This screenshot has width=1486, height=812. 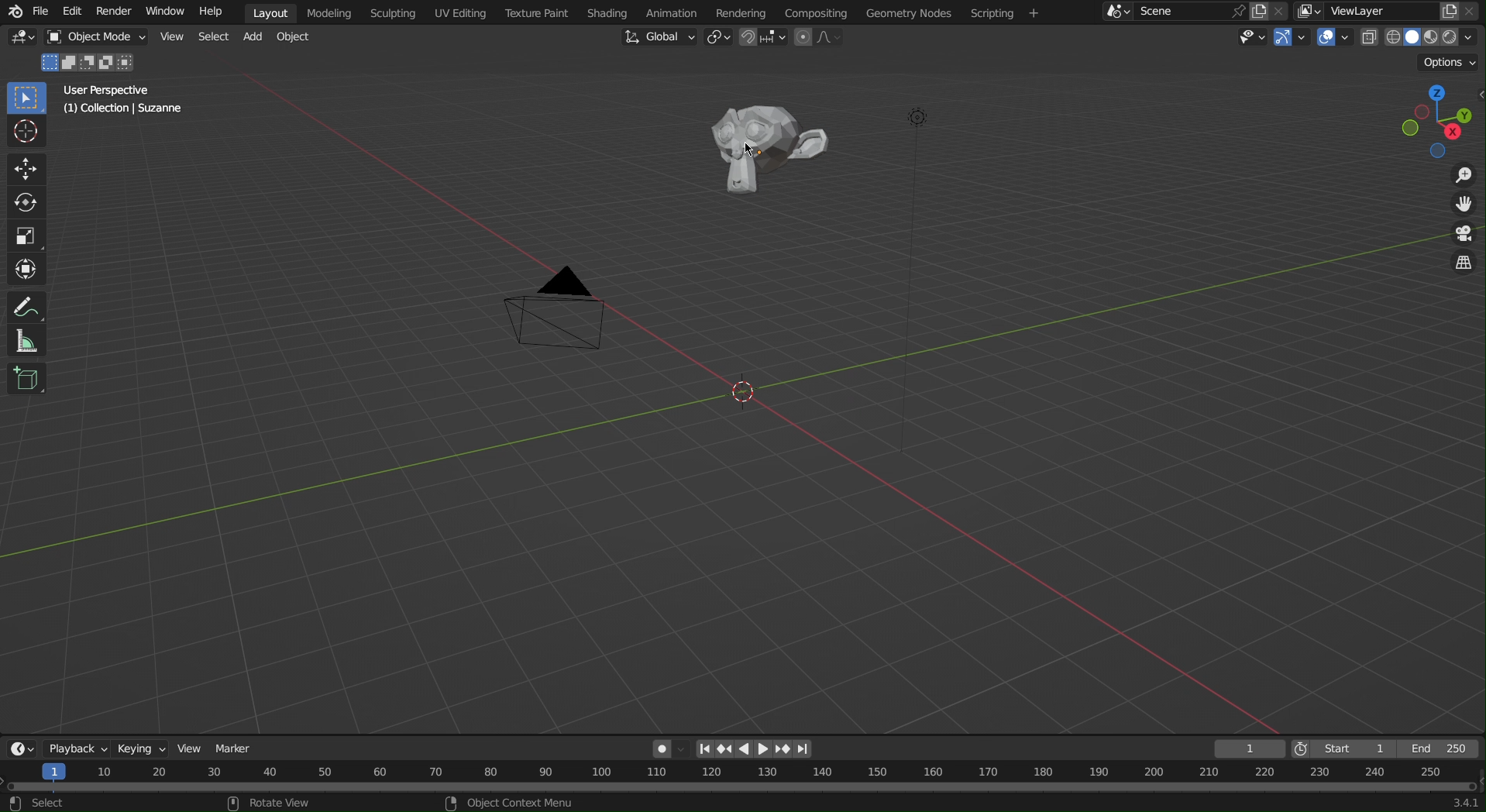 I want to click on Auto Keying, so click(x=671, y=749).